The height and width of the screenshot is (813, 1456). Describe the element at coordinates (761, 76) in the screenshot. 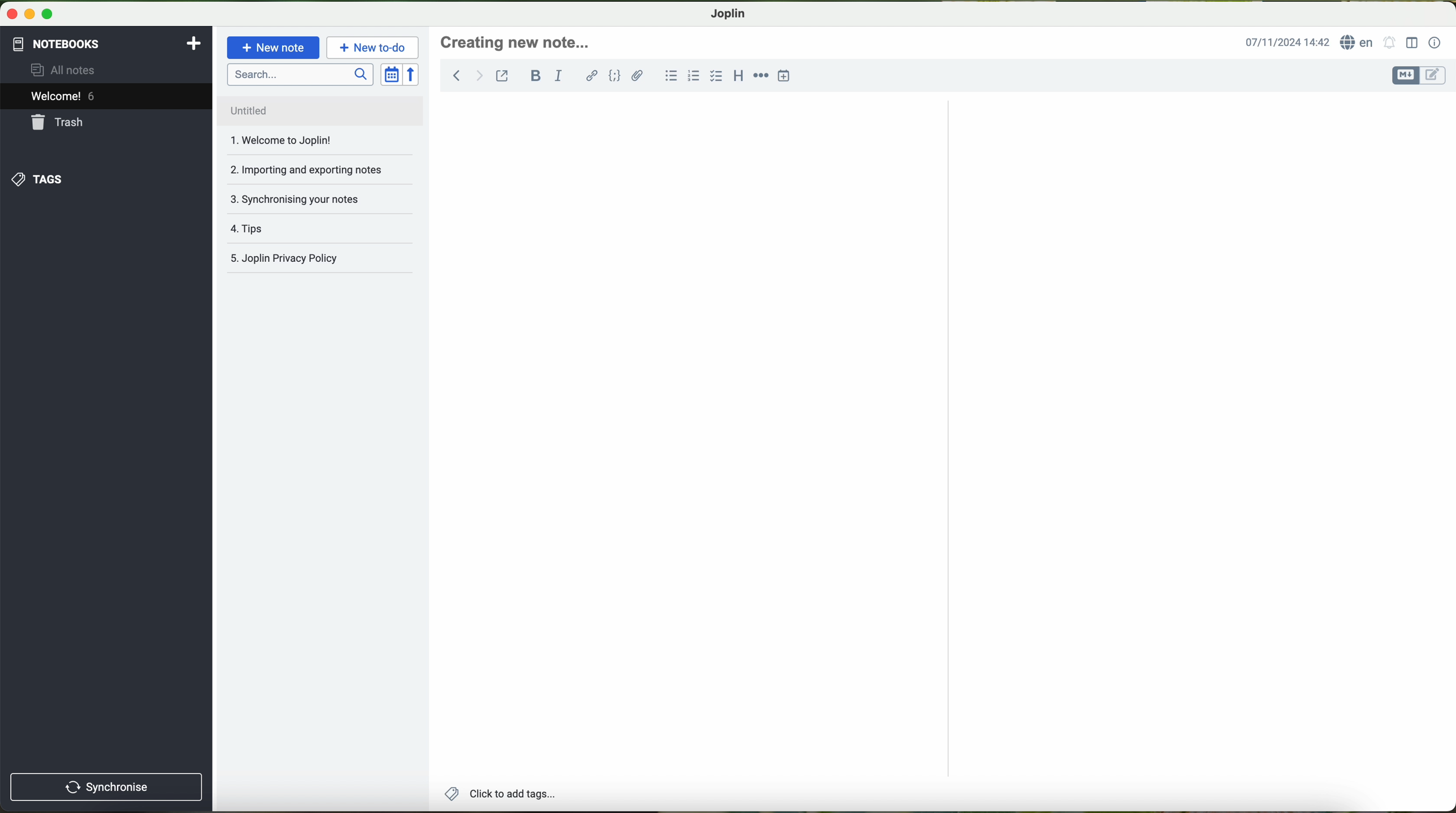

I see `horizontal rule` at that location.